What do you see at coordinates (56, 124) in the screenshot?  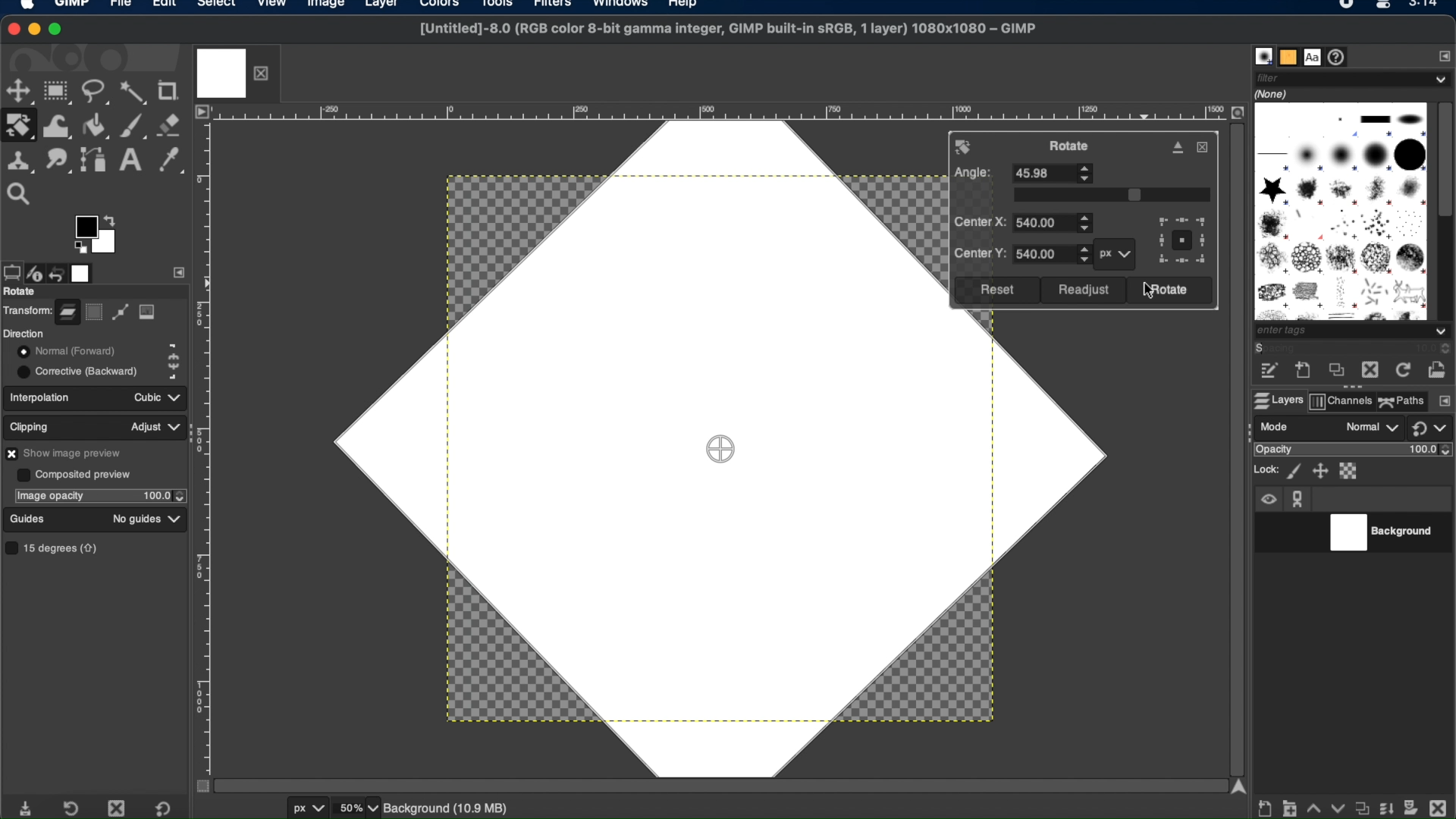 I see `warp transform` at bounding box center [56, 124].